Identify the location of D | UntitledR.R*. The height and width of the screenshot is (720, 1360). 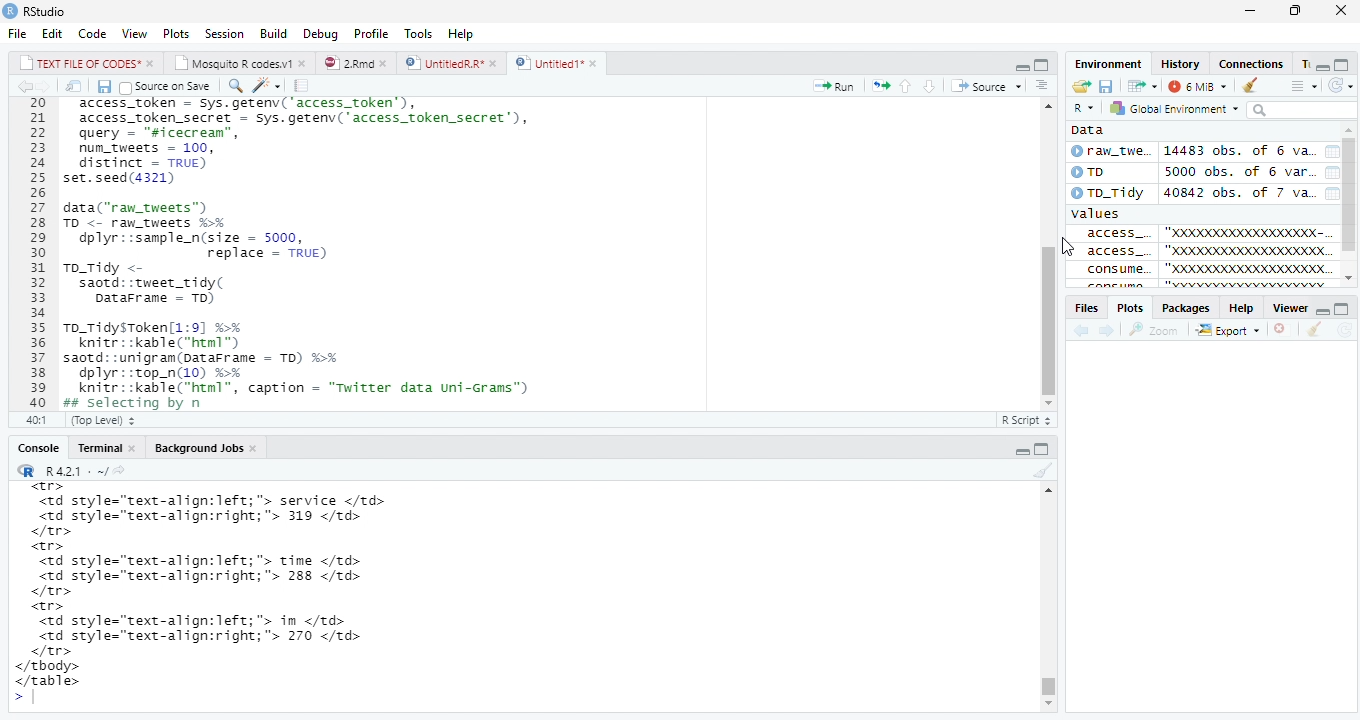
(448, 63).